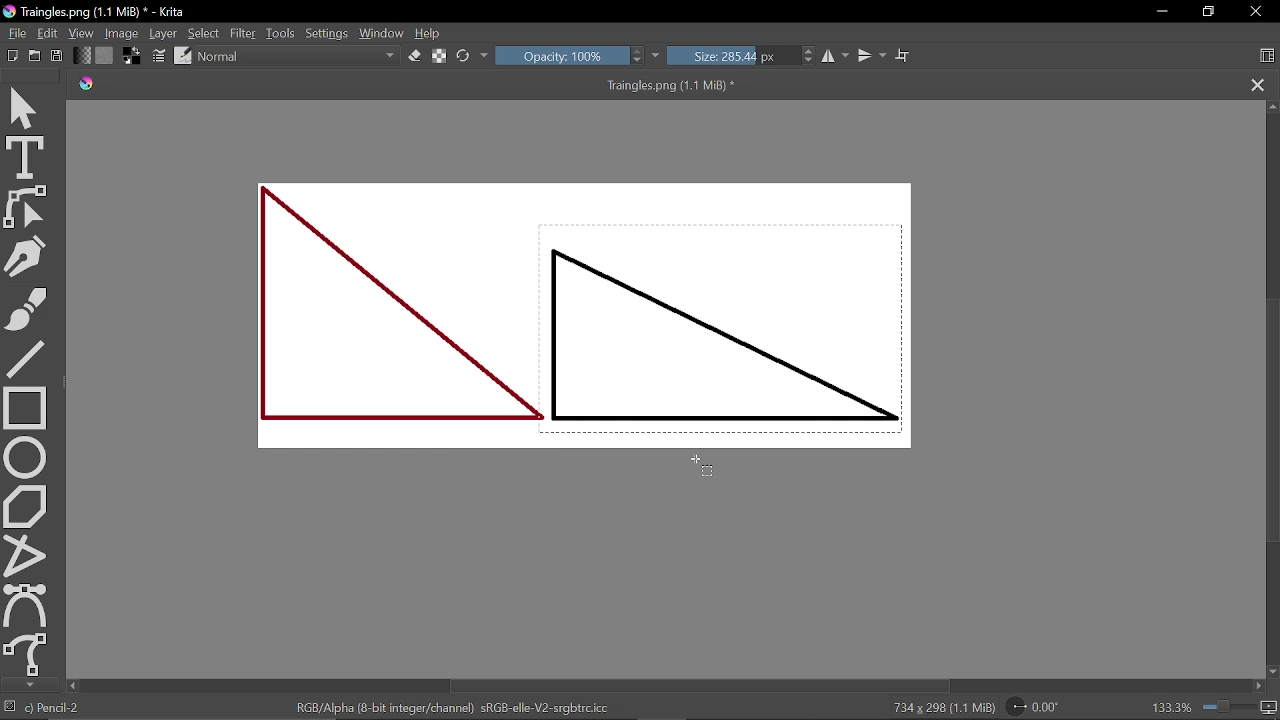  I want to click on Rotate, so click(1046, 707).